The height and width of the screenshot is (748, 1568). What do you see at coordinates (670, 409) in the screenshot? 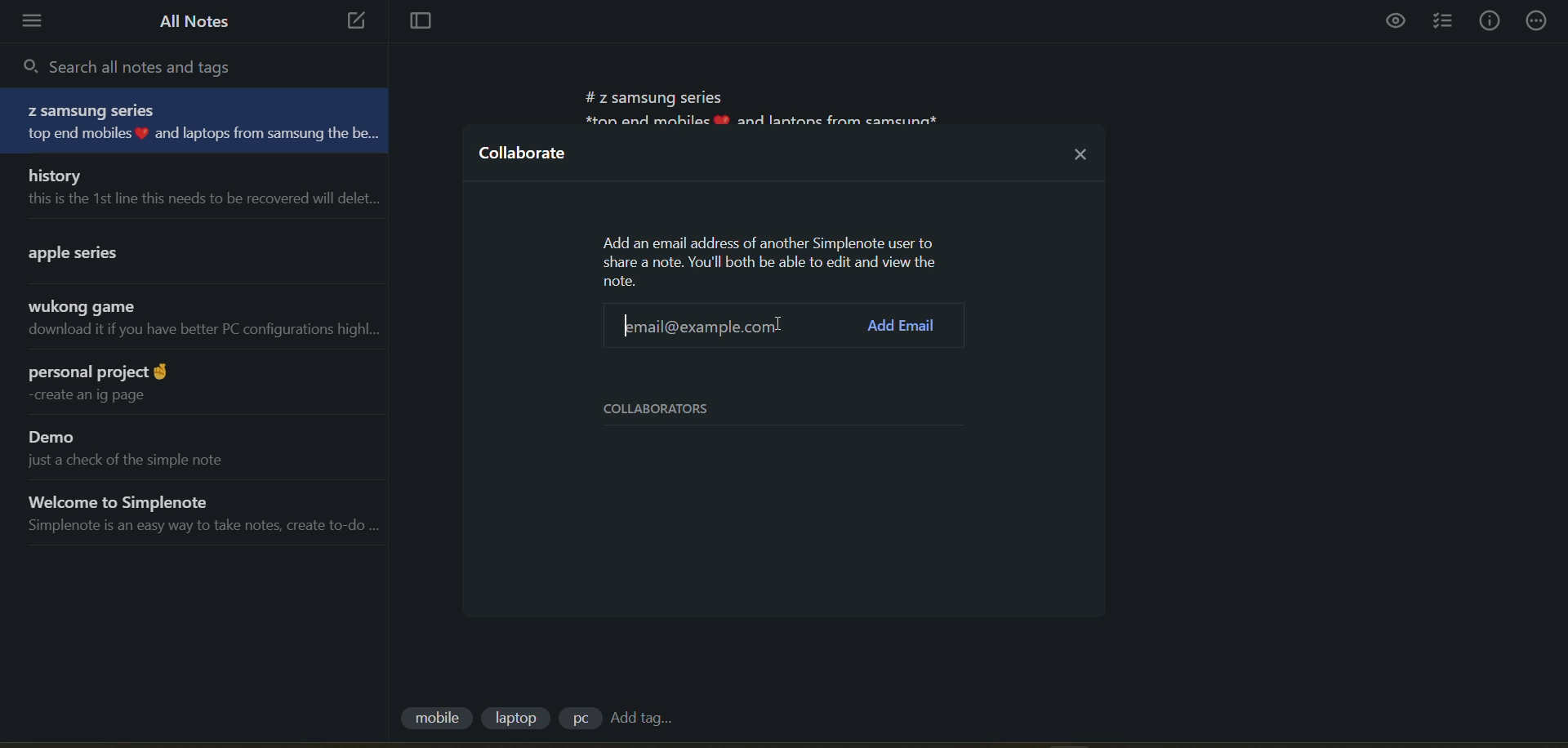
I see `collaborators` at bounding box center [670, 409].